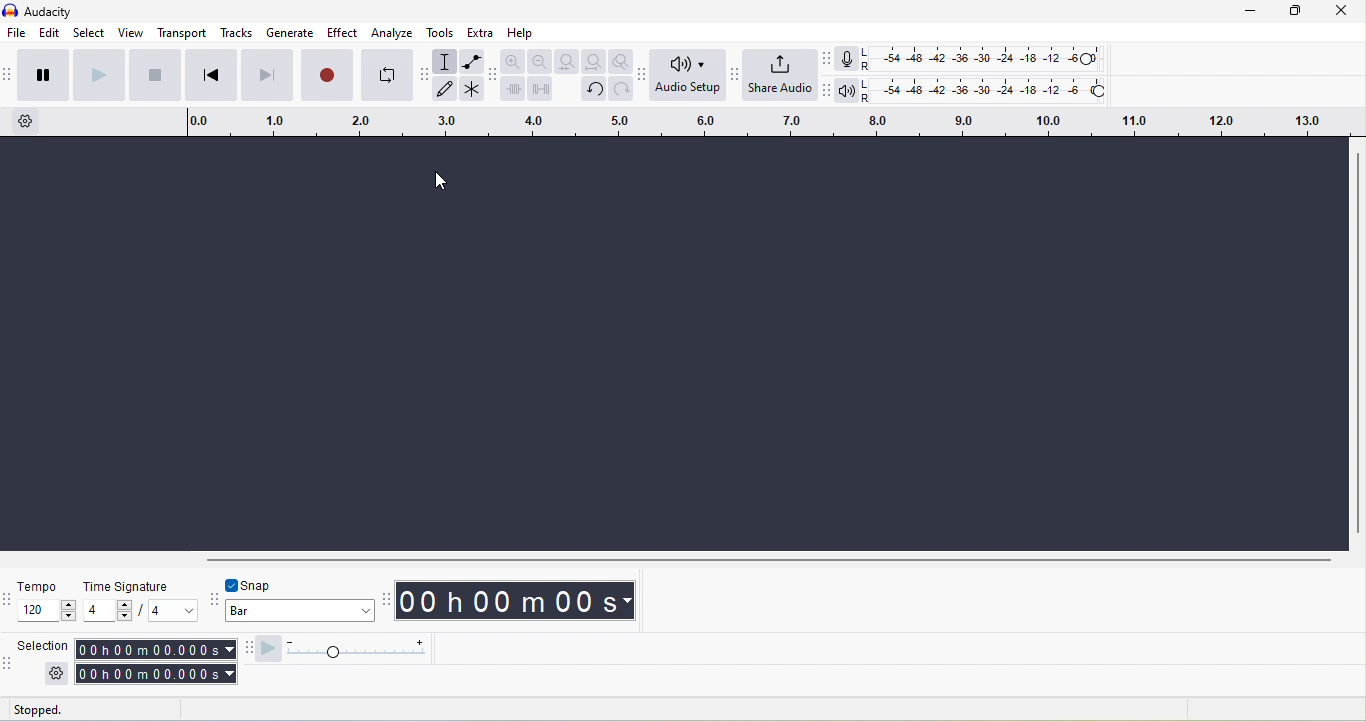  What do you see at coordinates (521, 601) in the screenshot?
I see `00 h 00 m 00 s` at bounding box center [521, 601].